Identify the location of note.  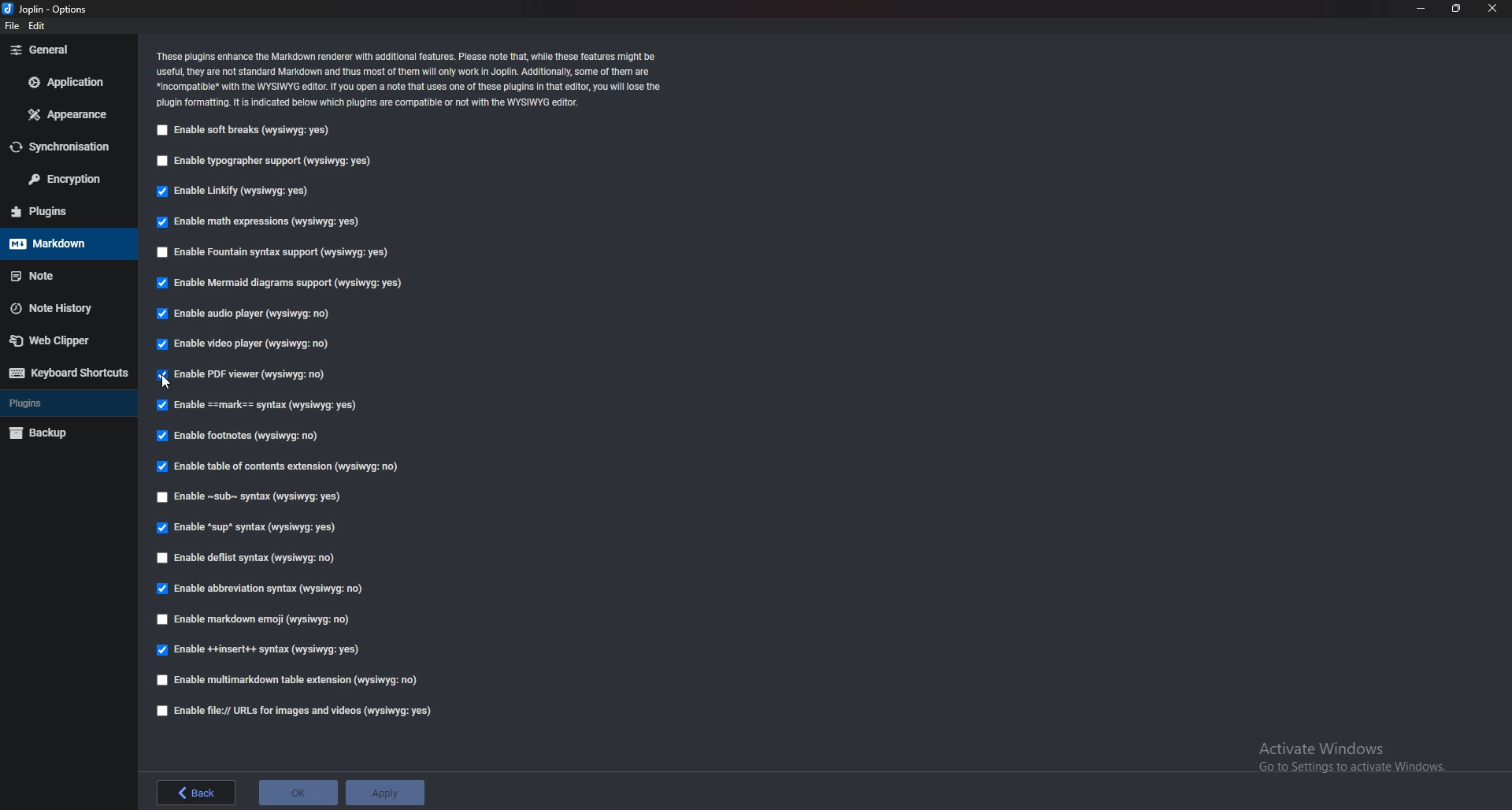
(65, 275).